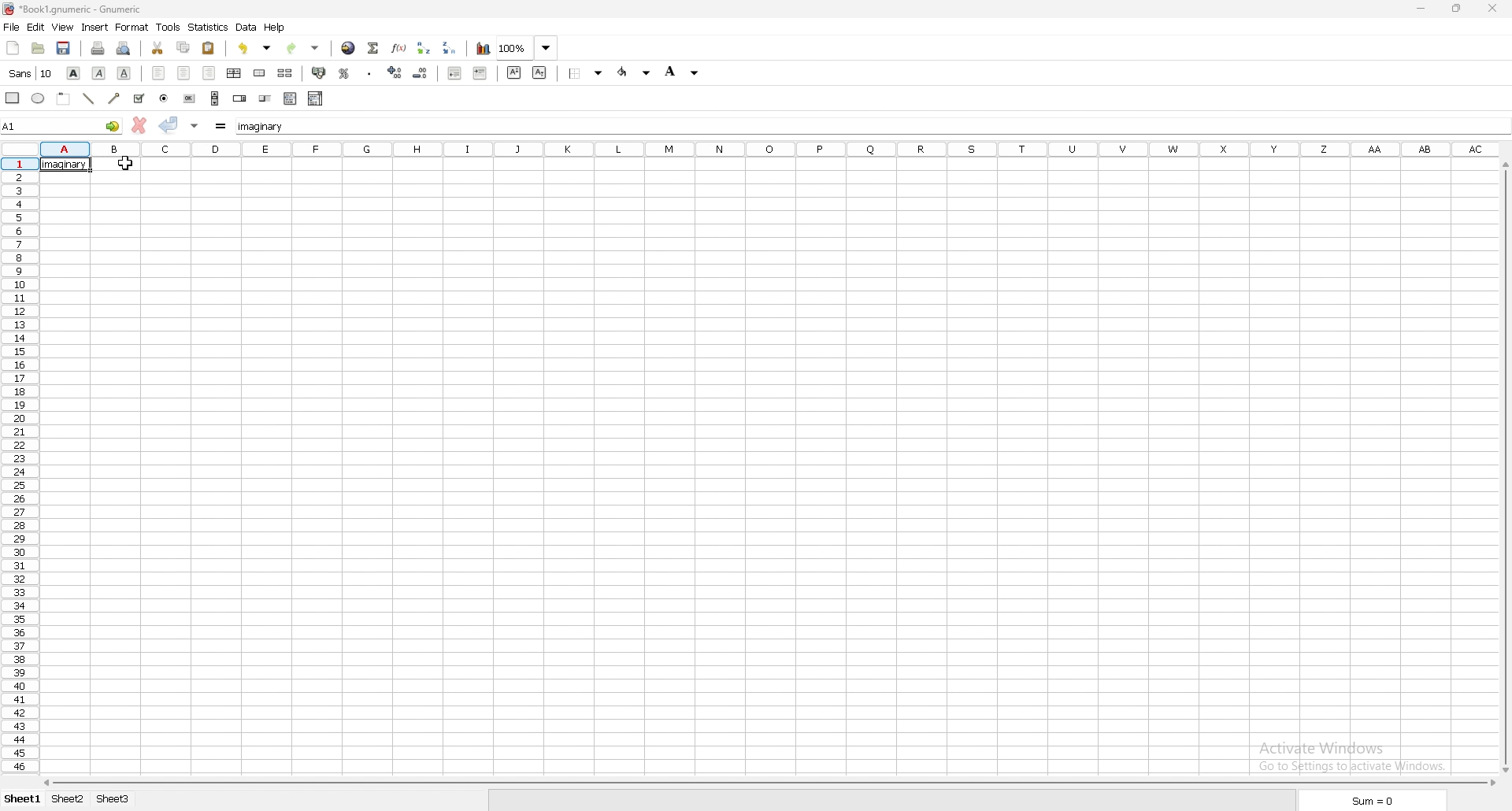  Describe the element at coordinates (39, 97) in the screenshot. I see `ellipse` at that location.